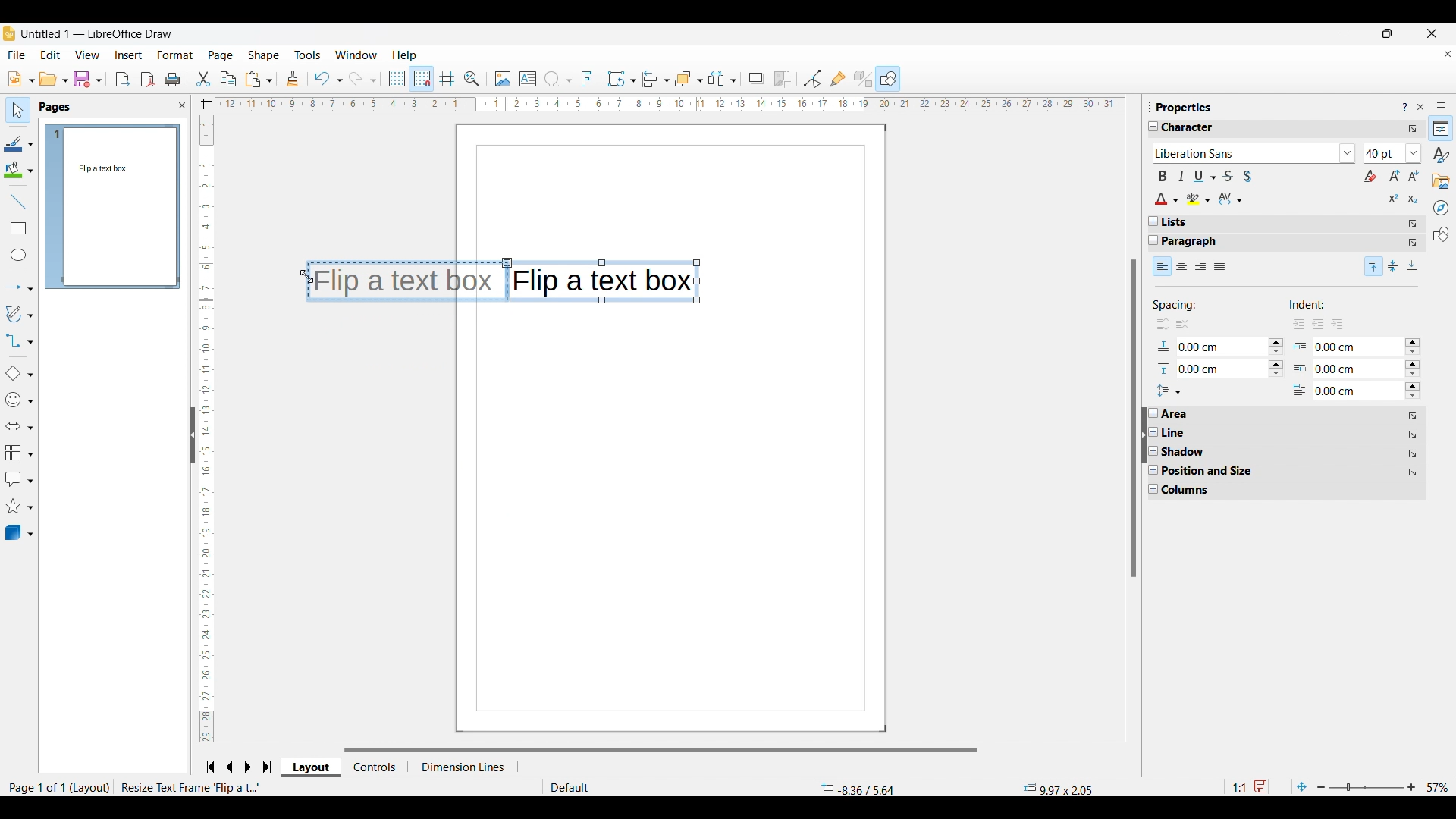 This screenshot has width=1456, height=819. I want to click on Bold, so click(1163, 176).